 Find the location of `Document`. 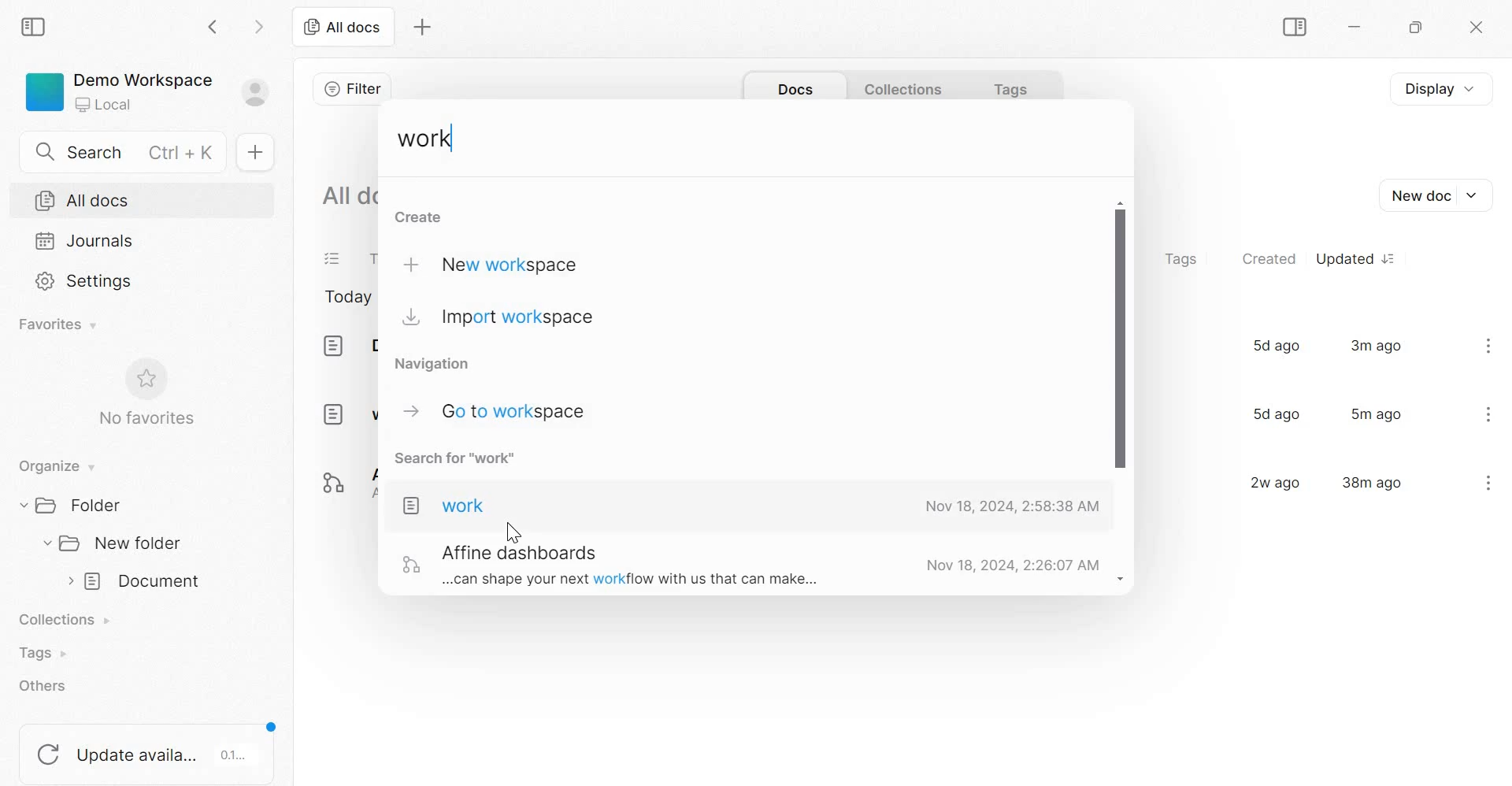

Document is located at coordinates (346, 346).